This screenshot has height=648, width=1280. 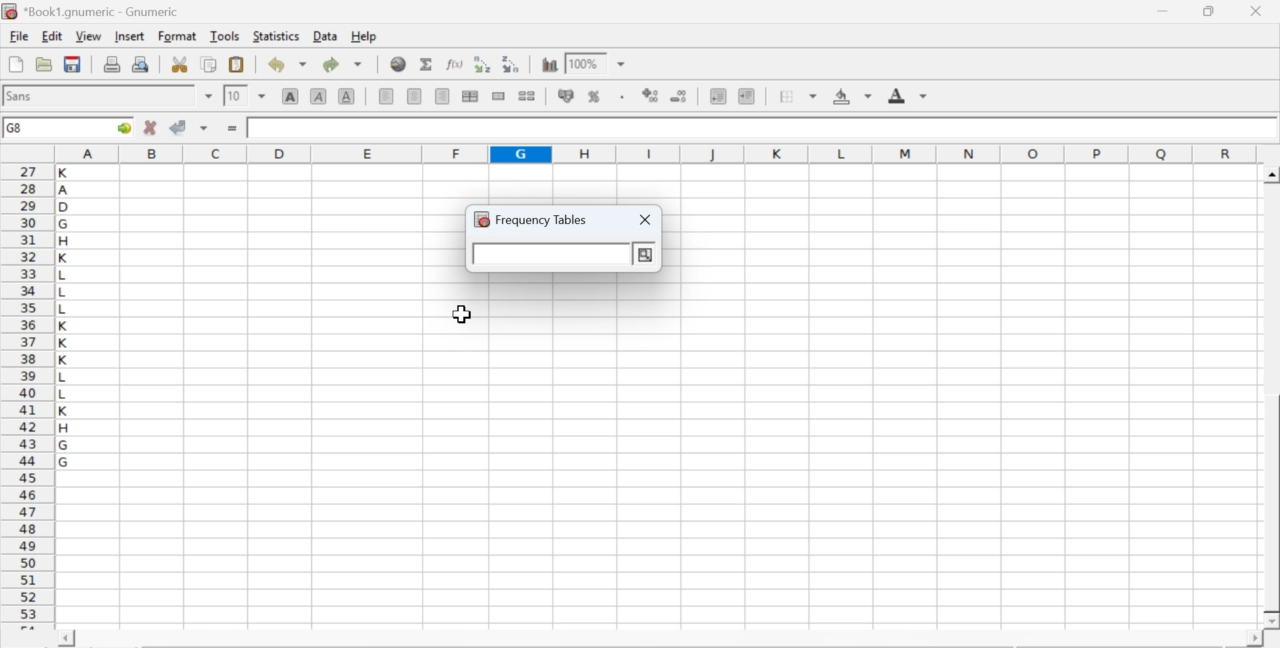 What do you see at coordinates (415, 96) in the screenshot?
I see `center horizontally` at bounding box center [415, 96].